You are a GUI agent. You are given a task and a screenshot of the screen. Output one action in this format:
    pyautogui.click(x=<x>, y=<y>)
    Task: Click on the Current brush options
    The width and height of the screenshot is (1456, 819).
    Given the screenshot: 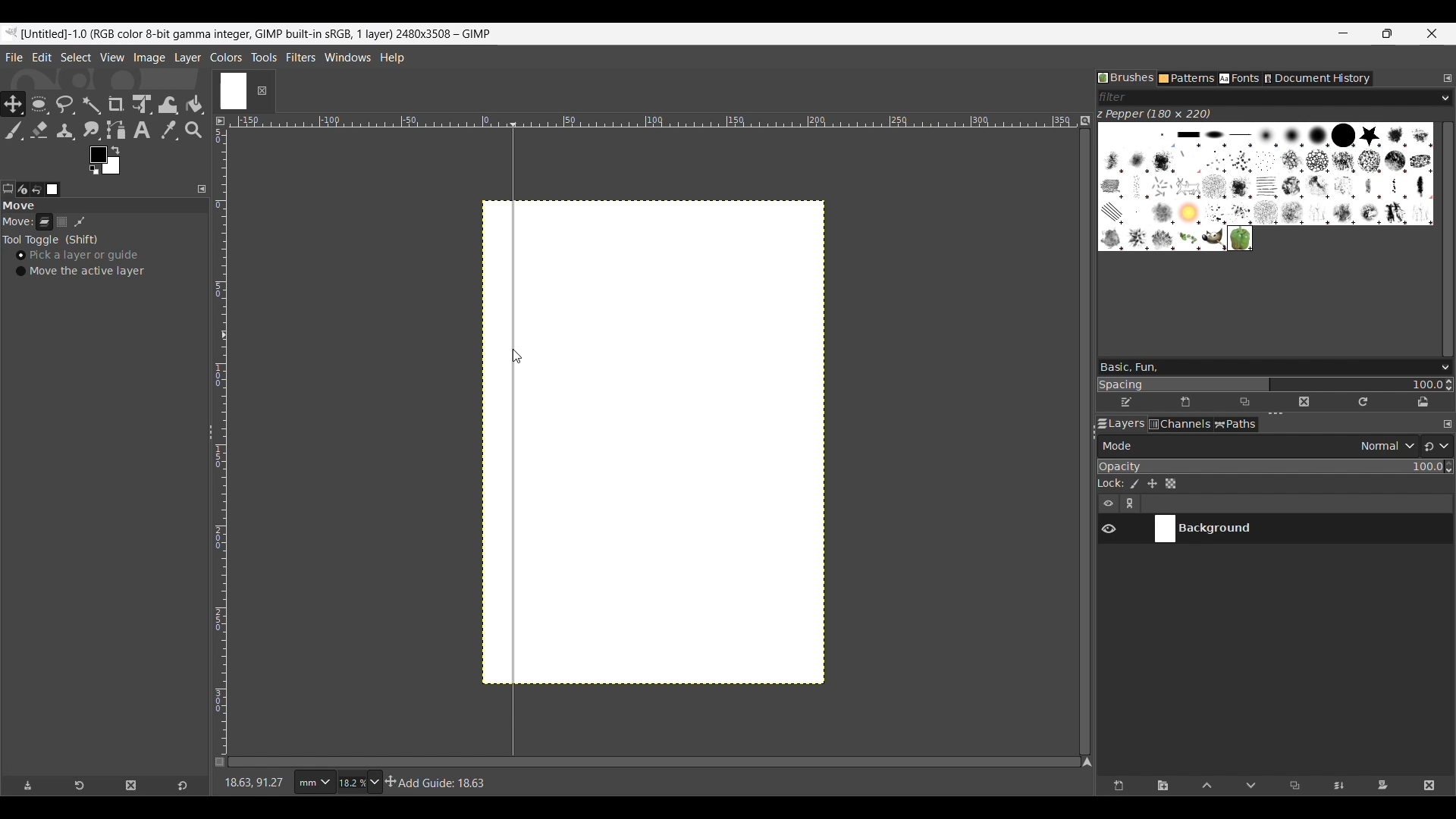 What is the action you would take?
    pyautogui.click(x=1266, y=187)
    